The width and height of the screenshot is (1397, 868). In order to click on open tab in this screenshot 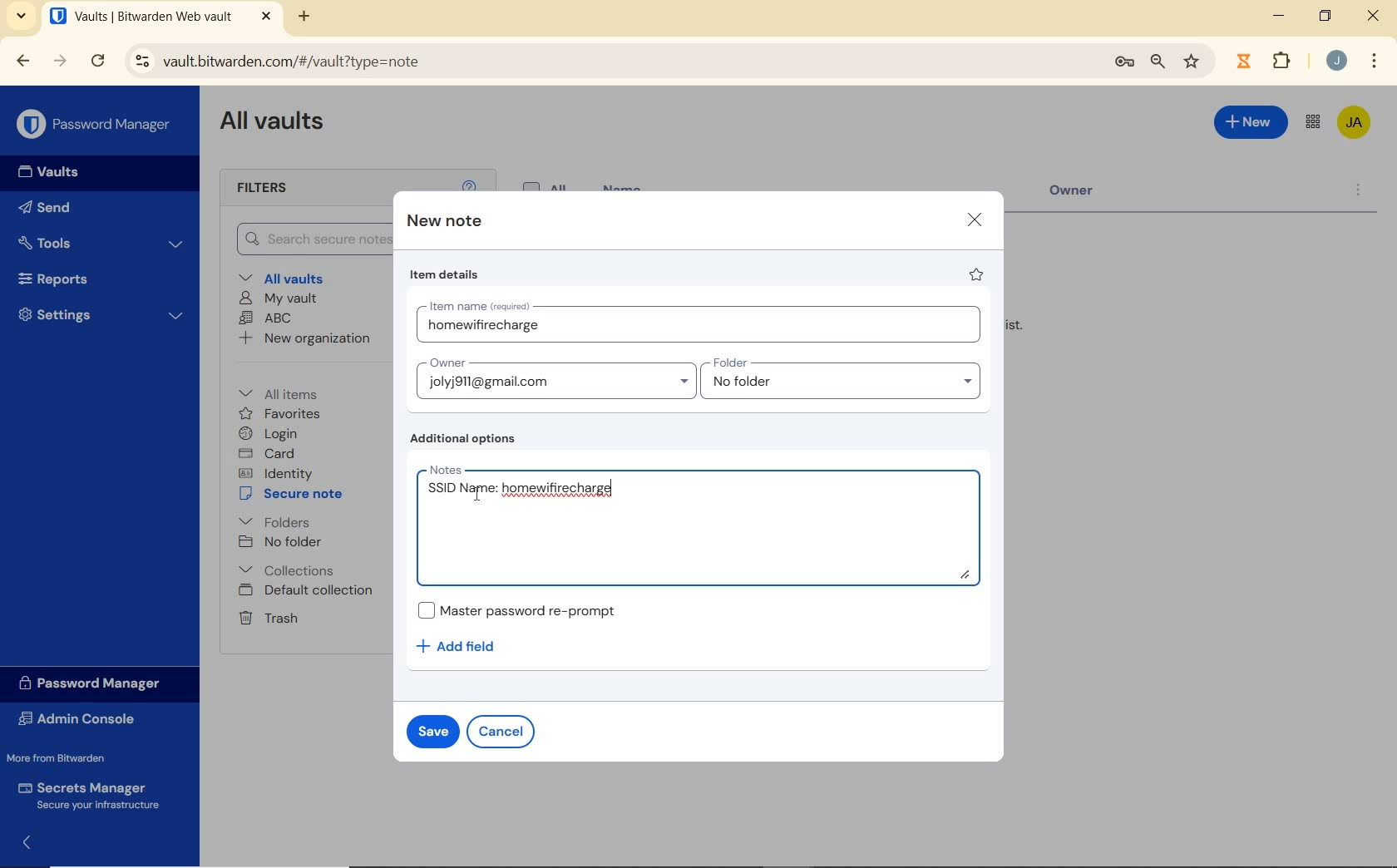, I will do `click(160, 16)`.